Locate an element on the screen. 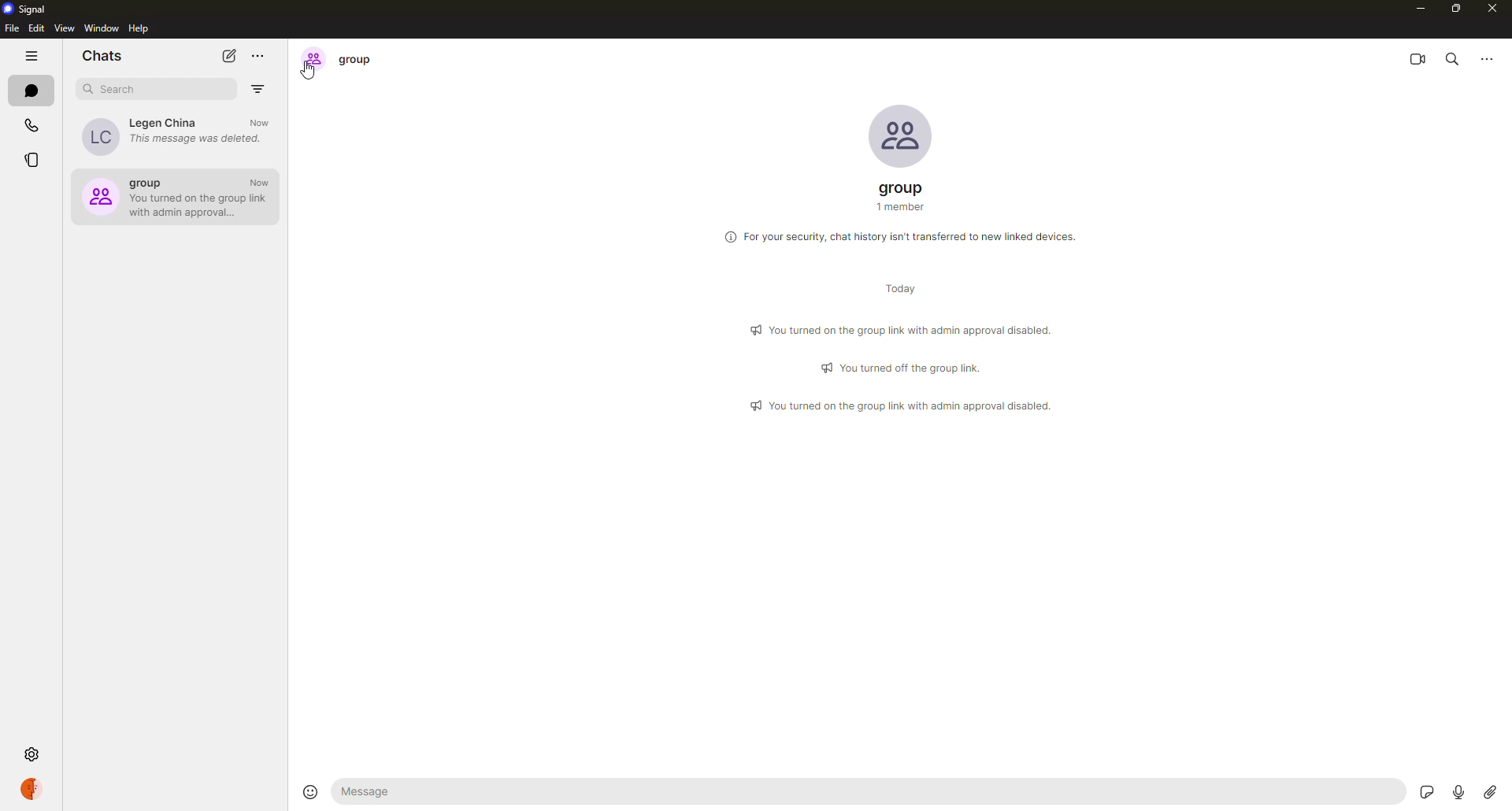  record is located at coordinates (1458, 791).